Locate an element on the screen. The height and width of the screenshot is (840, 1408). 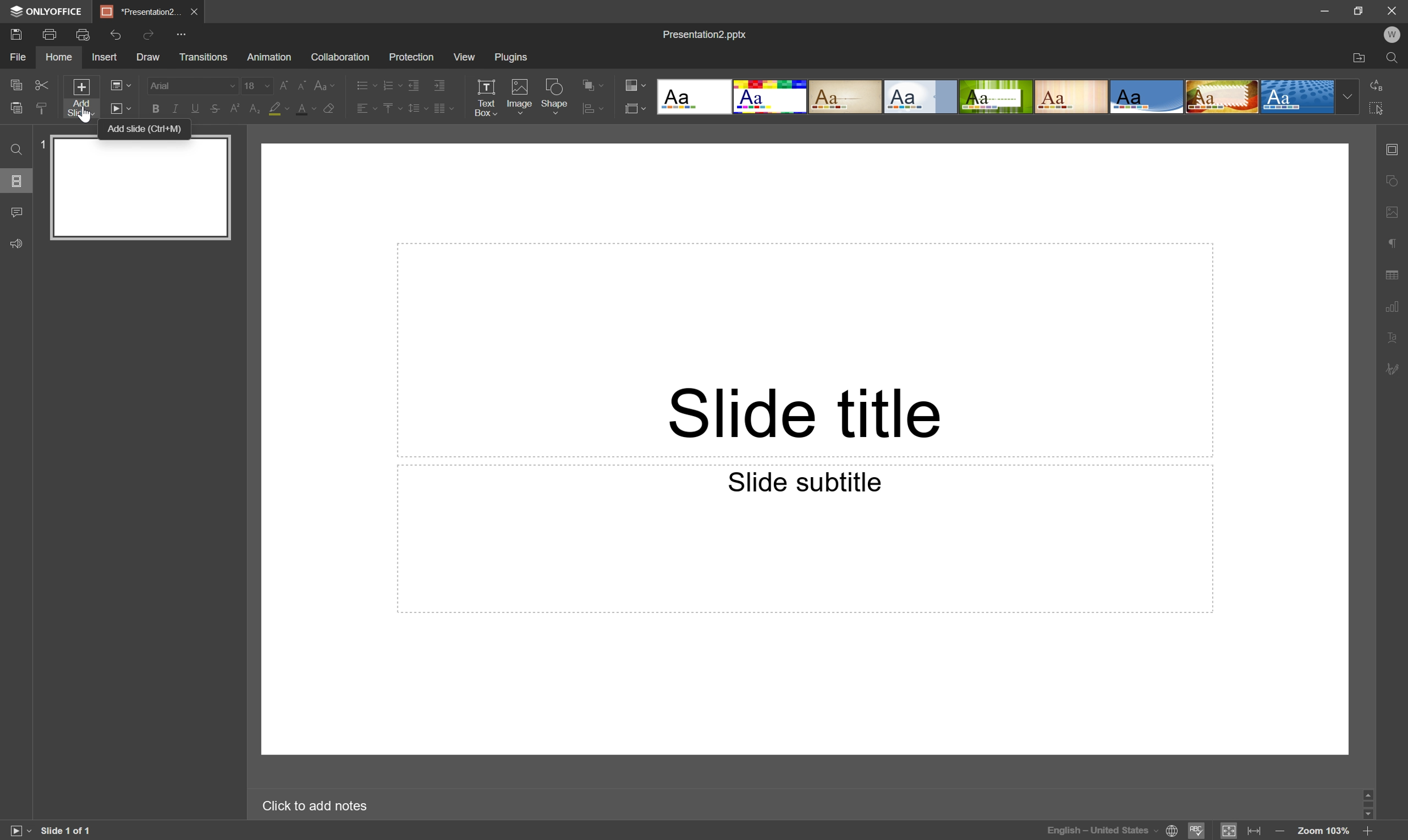
Slide title is located at coordinates (808, 411).